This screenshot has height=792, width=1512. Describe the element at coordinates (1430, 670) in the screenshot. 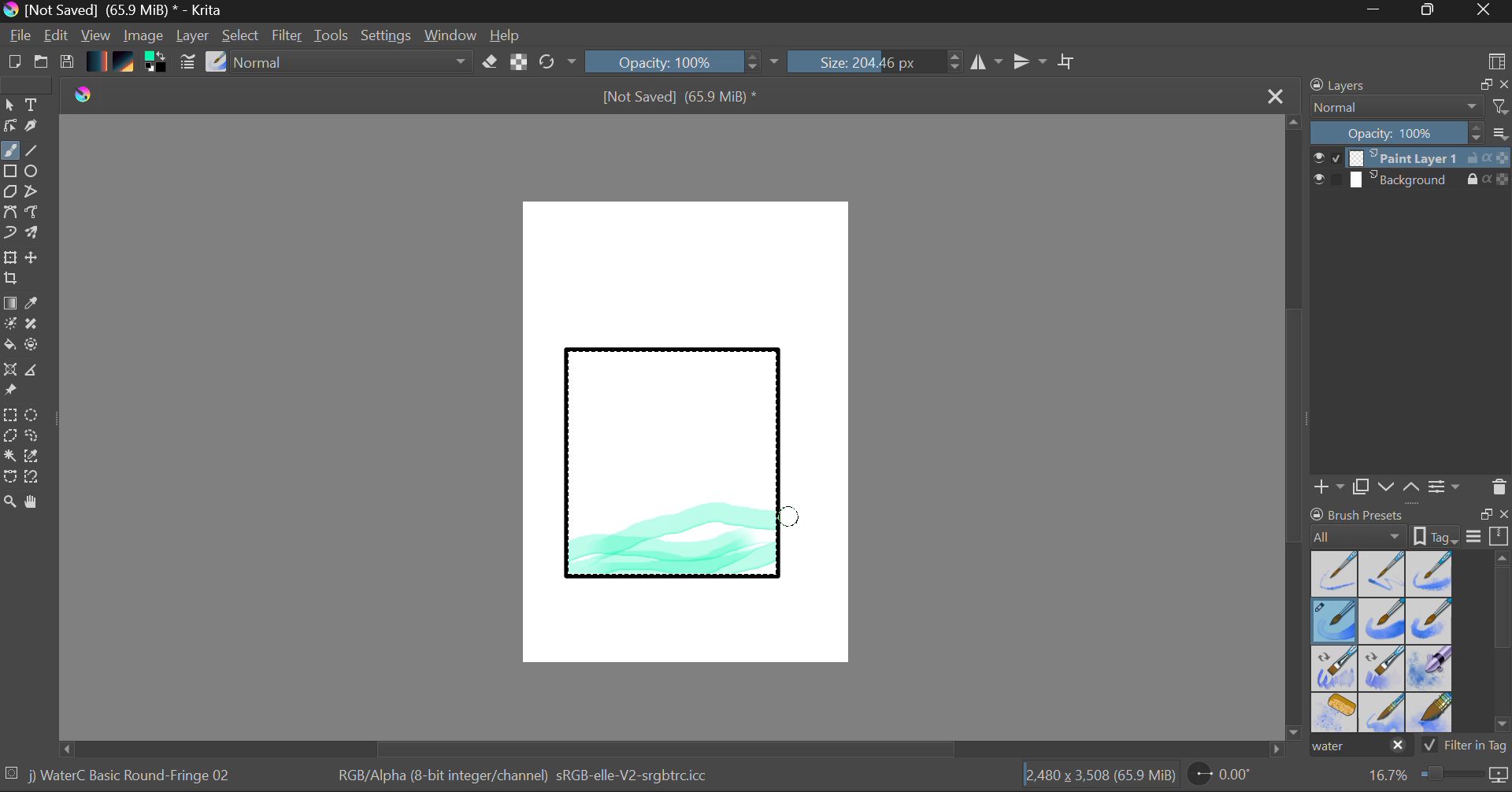

I see `Water C - Special Blobs` at that location.